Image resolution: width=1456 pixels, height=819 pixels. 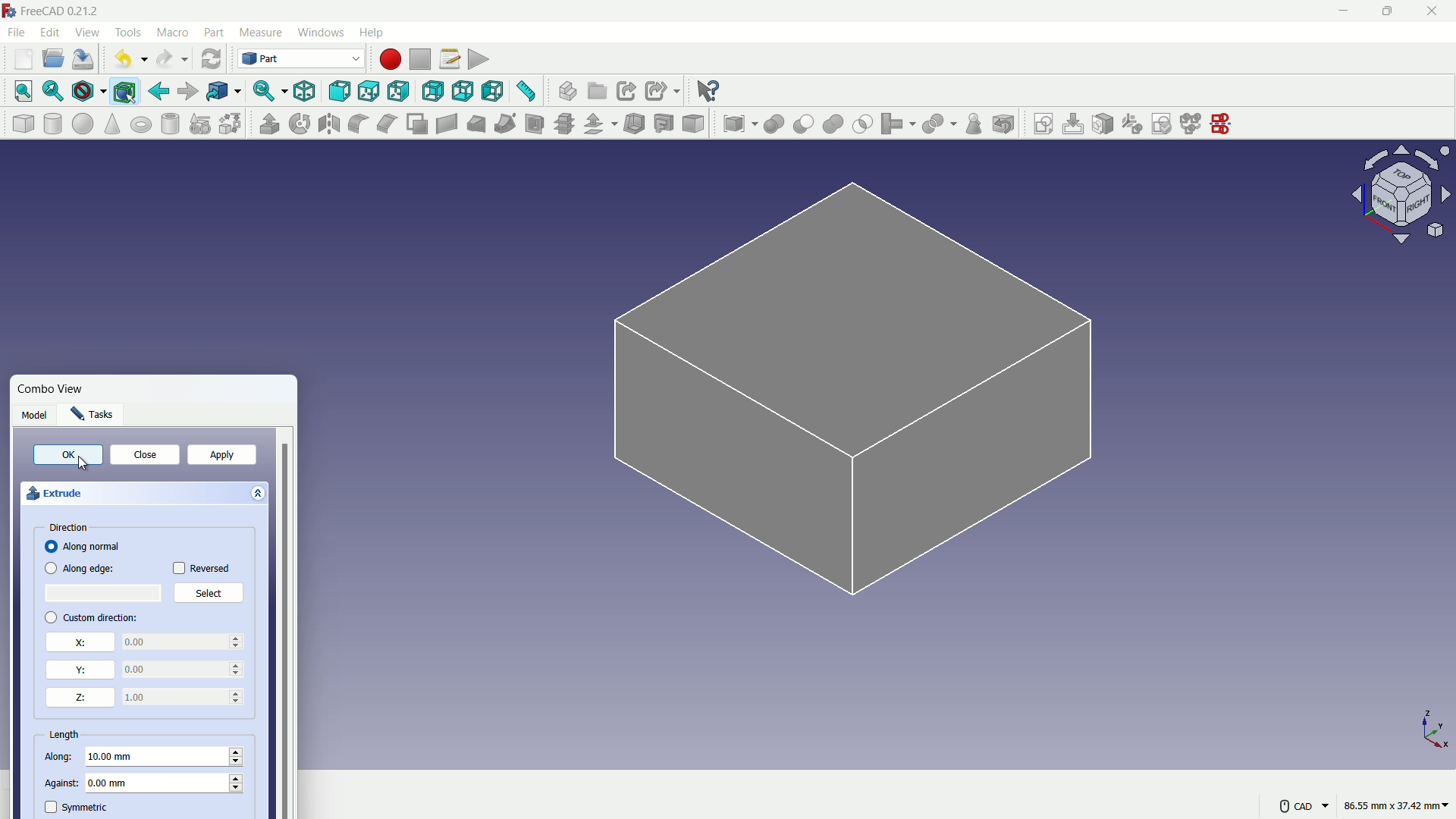 I want to click on map sketch to face, so click(x=1102, y=123).